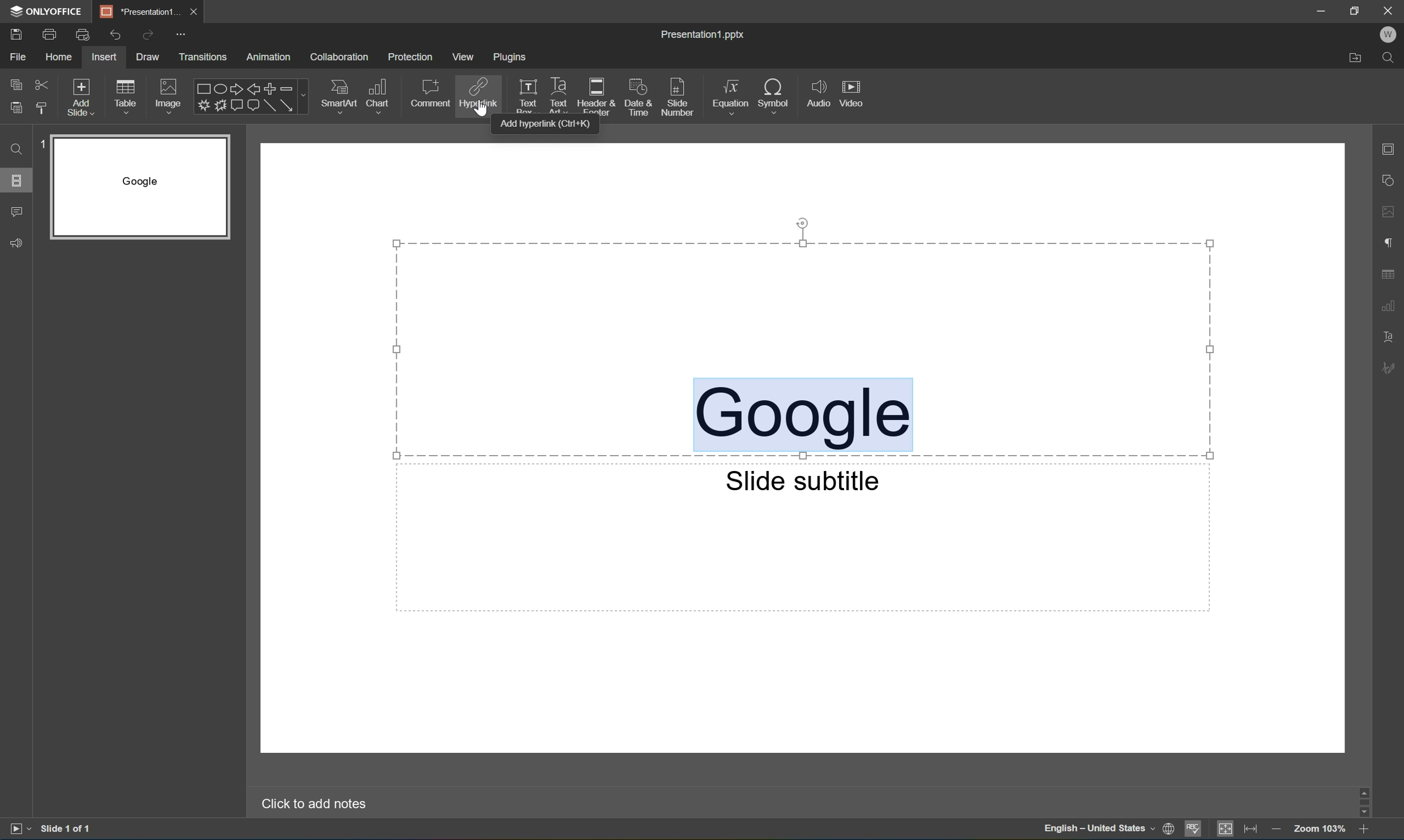  Describe the element at coordinates (1255, 829) in the screenshot. I see `Fit to width` at that location.